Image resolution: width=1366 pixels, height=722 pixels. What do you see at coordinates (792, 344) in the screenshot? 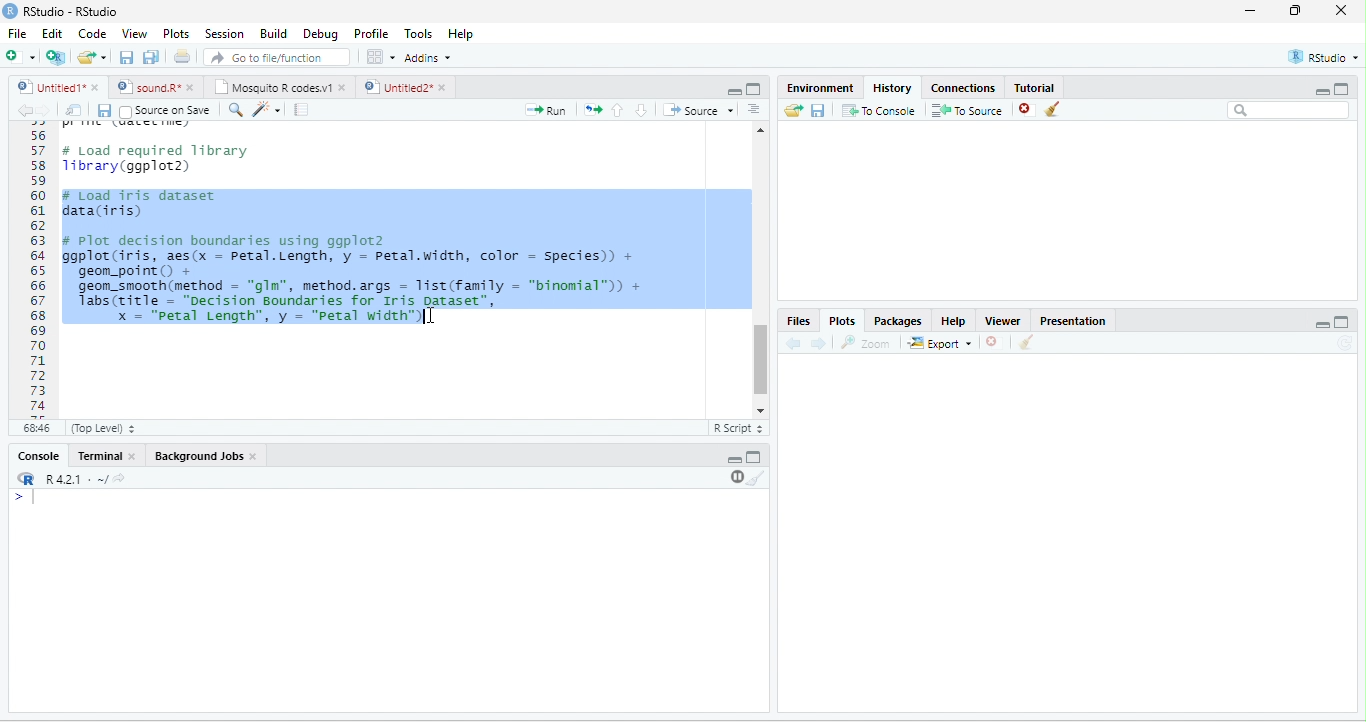
I see `back` at bounding box center [792, 344].